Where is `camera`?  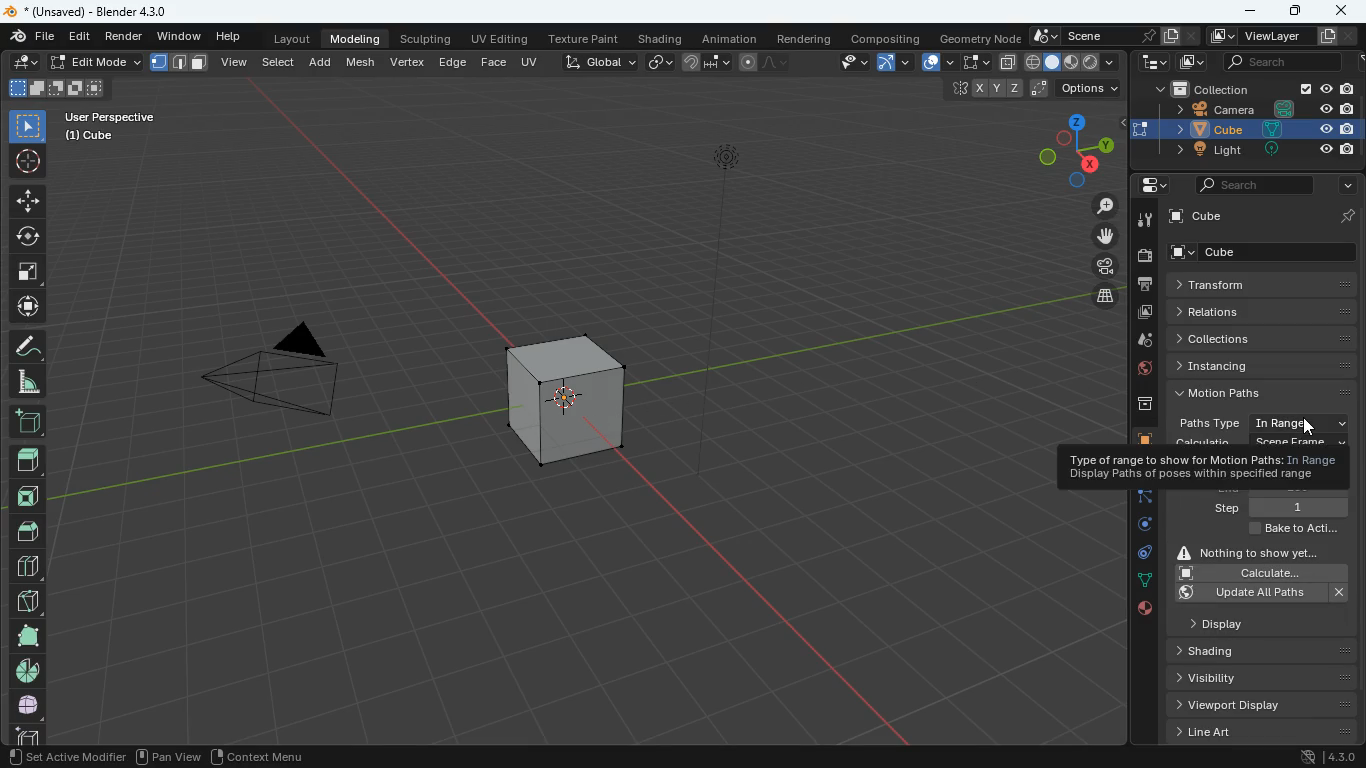 camera is located at coordinates (1256, 109).